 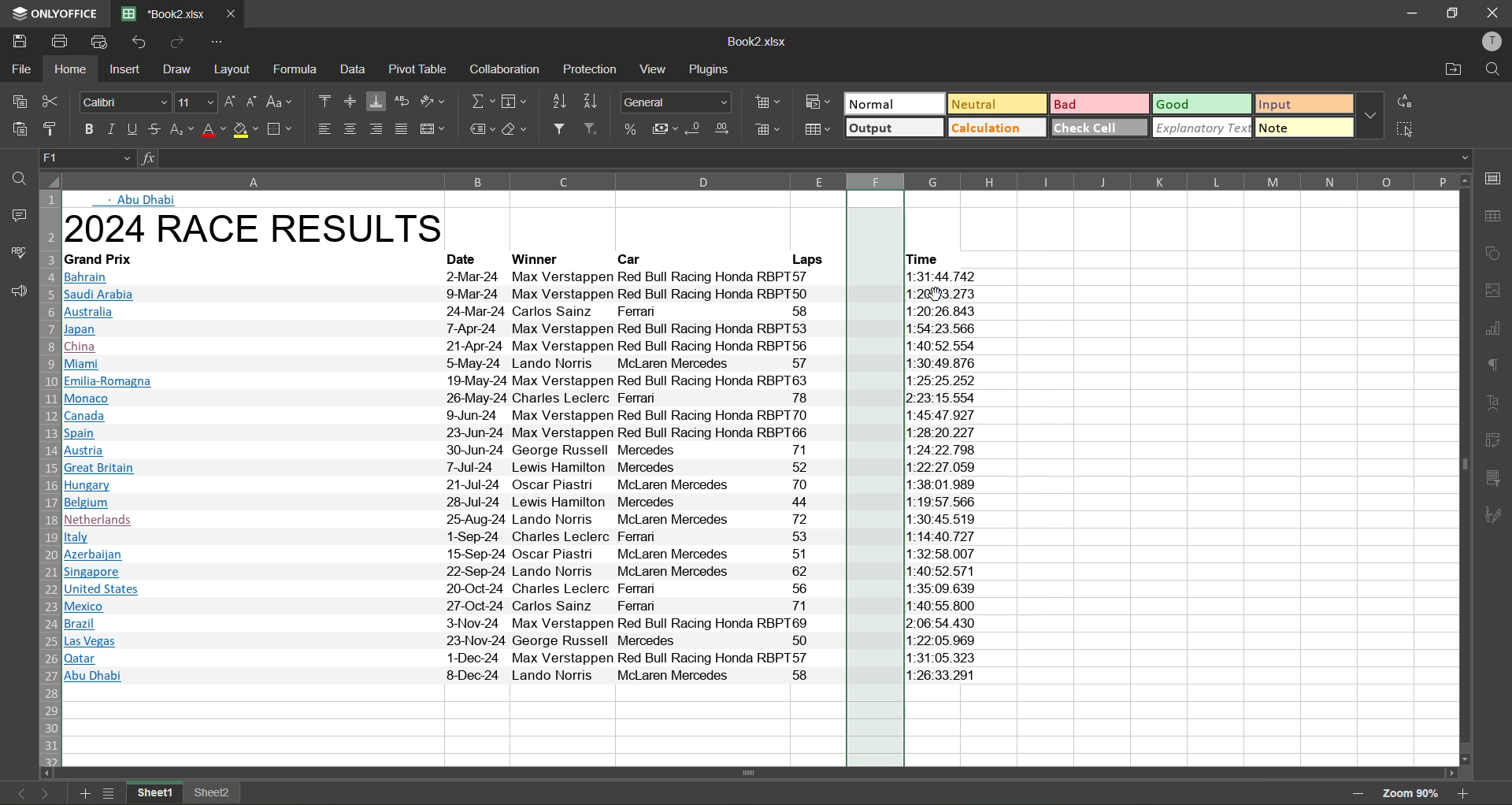 What do you see at coordinates (1497, 329) in the screenshot?
I see `charts` at bounding box center [1497, 329].